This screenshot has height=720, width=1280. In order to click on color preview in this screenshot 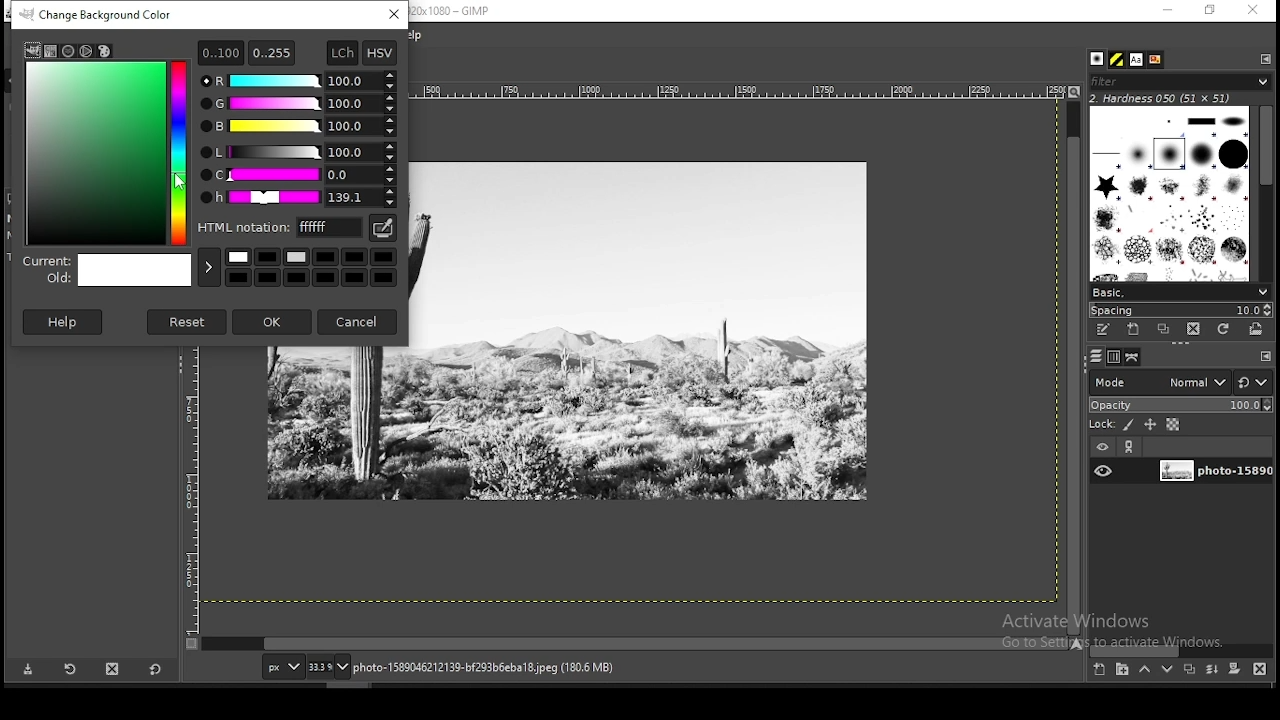, I will do `click(108, 272)`.